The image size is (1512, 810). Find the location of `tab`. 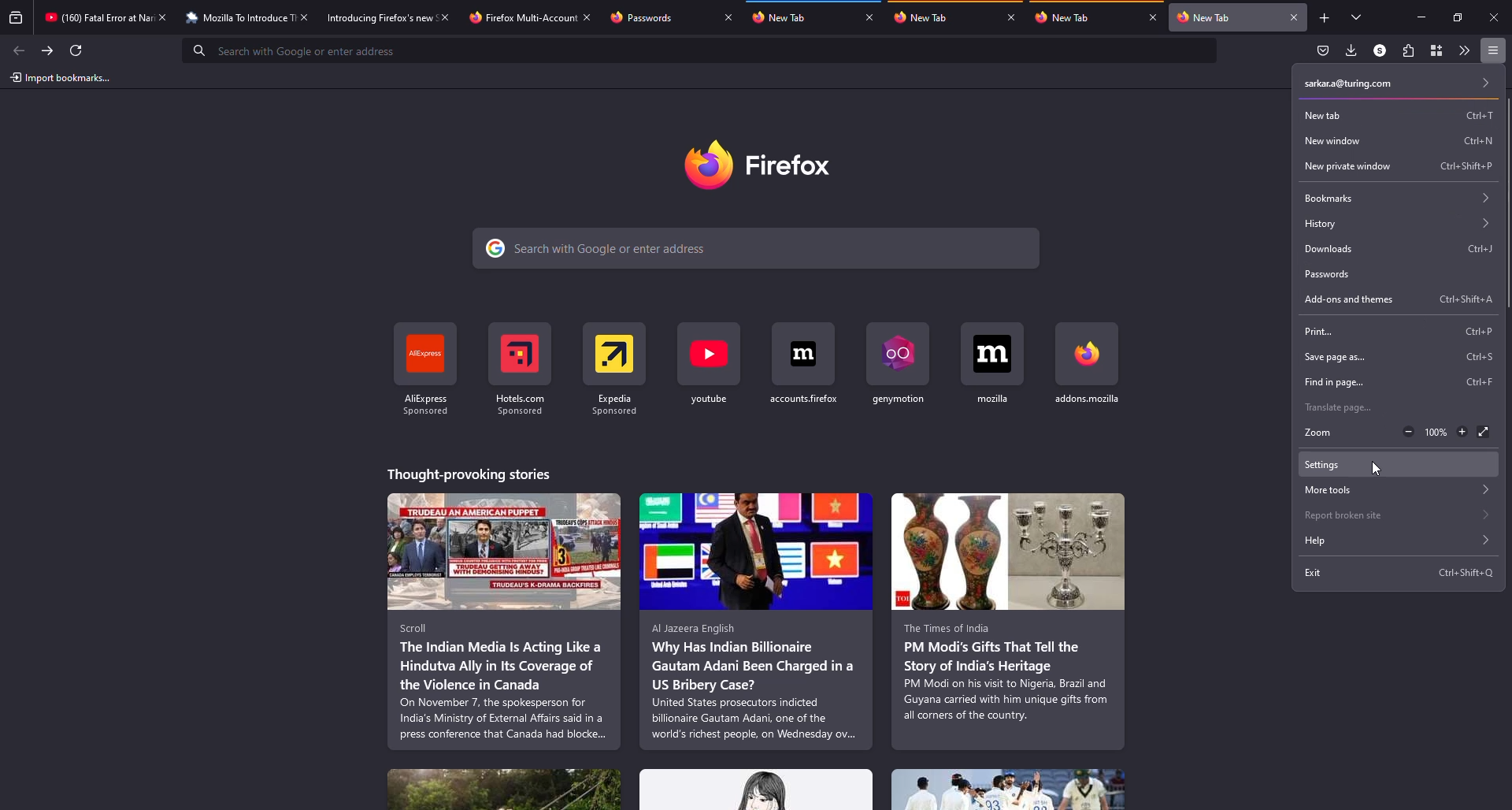

tab is located at coordinates (379, 18).